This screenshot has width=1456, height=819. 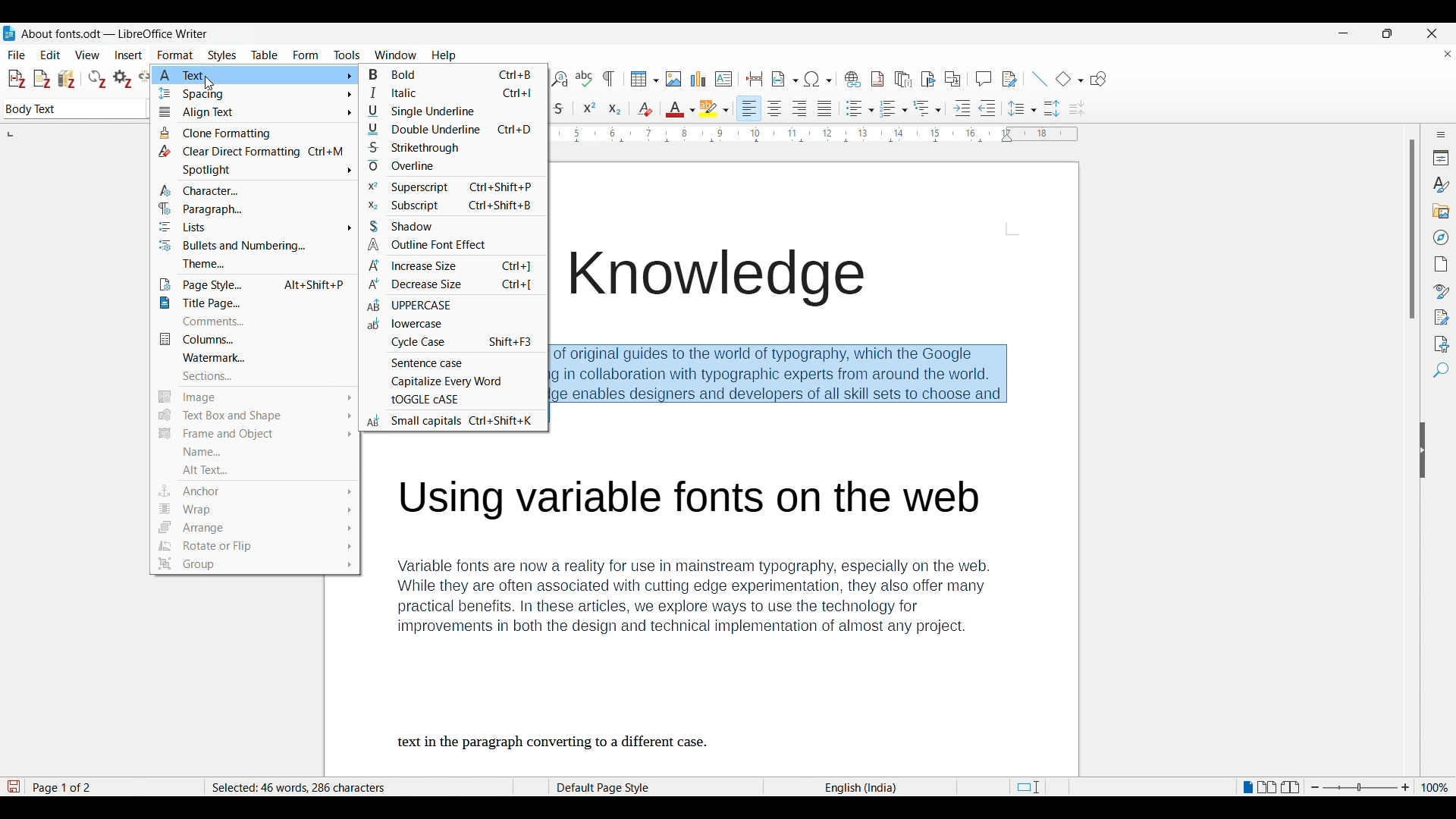 I want to click on Columns, so click(x=249, y=340).